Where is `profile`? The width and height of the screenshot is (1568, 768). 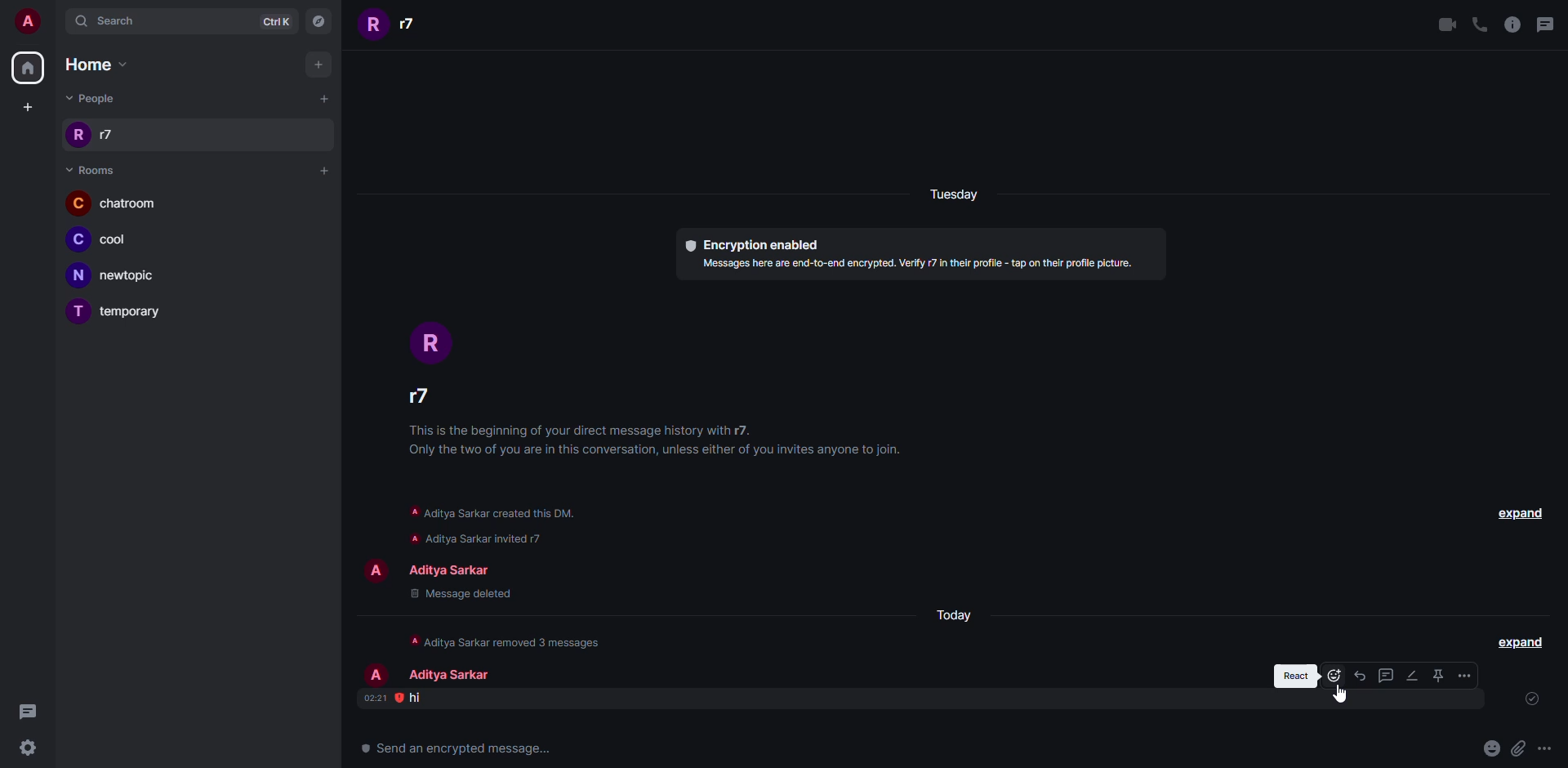 profile is located at coordinates (376, 675).